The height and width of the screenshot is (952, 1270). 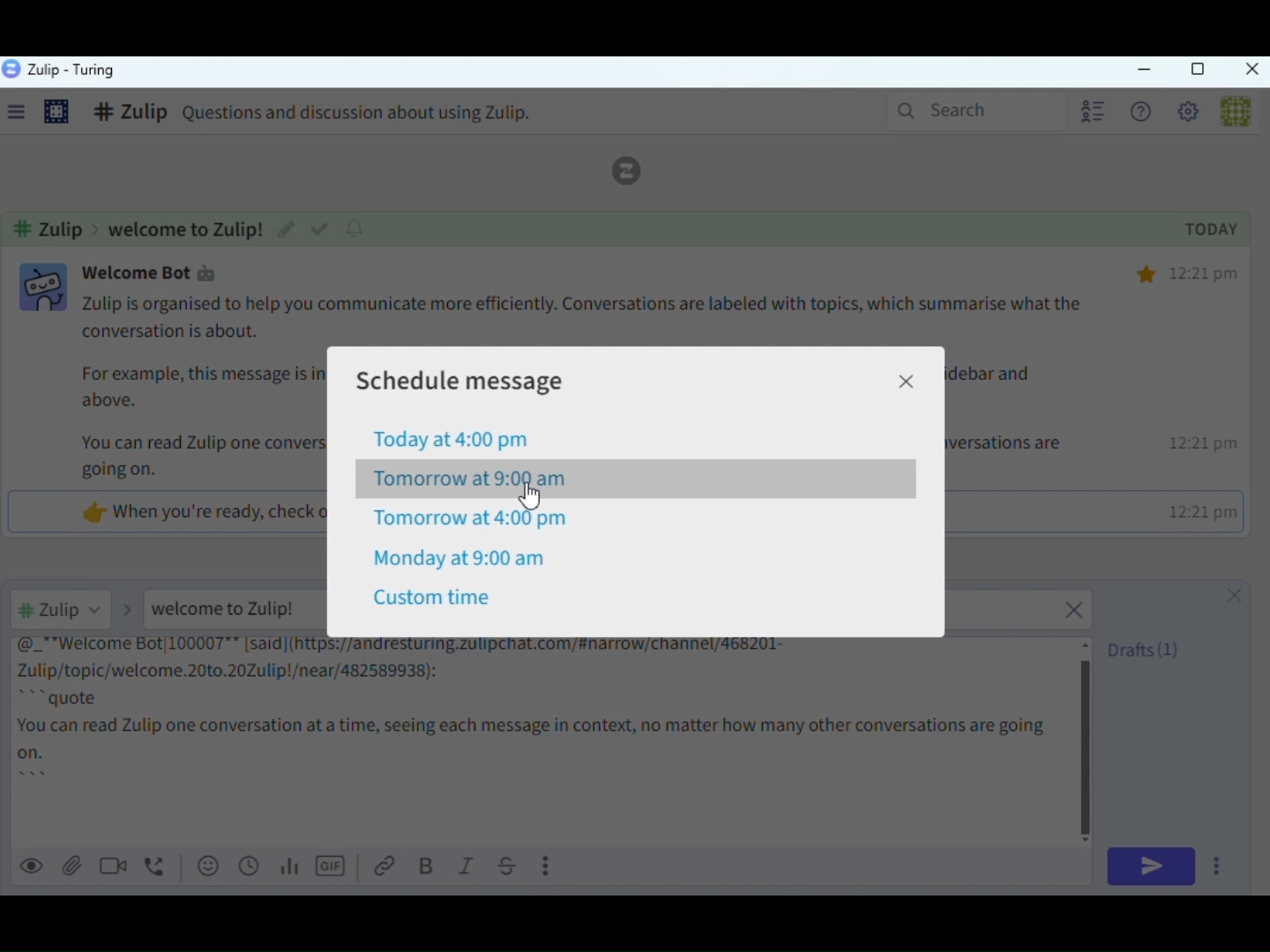 I want to click on vertical scroll bar, so click(x=1262, y=473).